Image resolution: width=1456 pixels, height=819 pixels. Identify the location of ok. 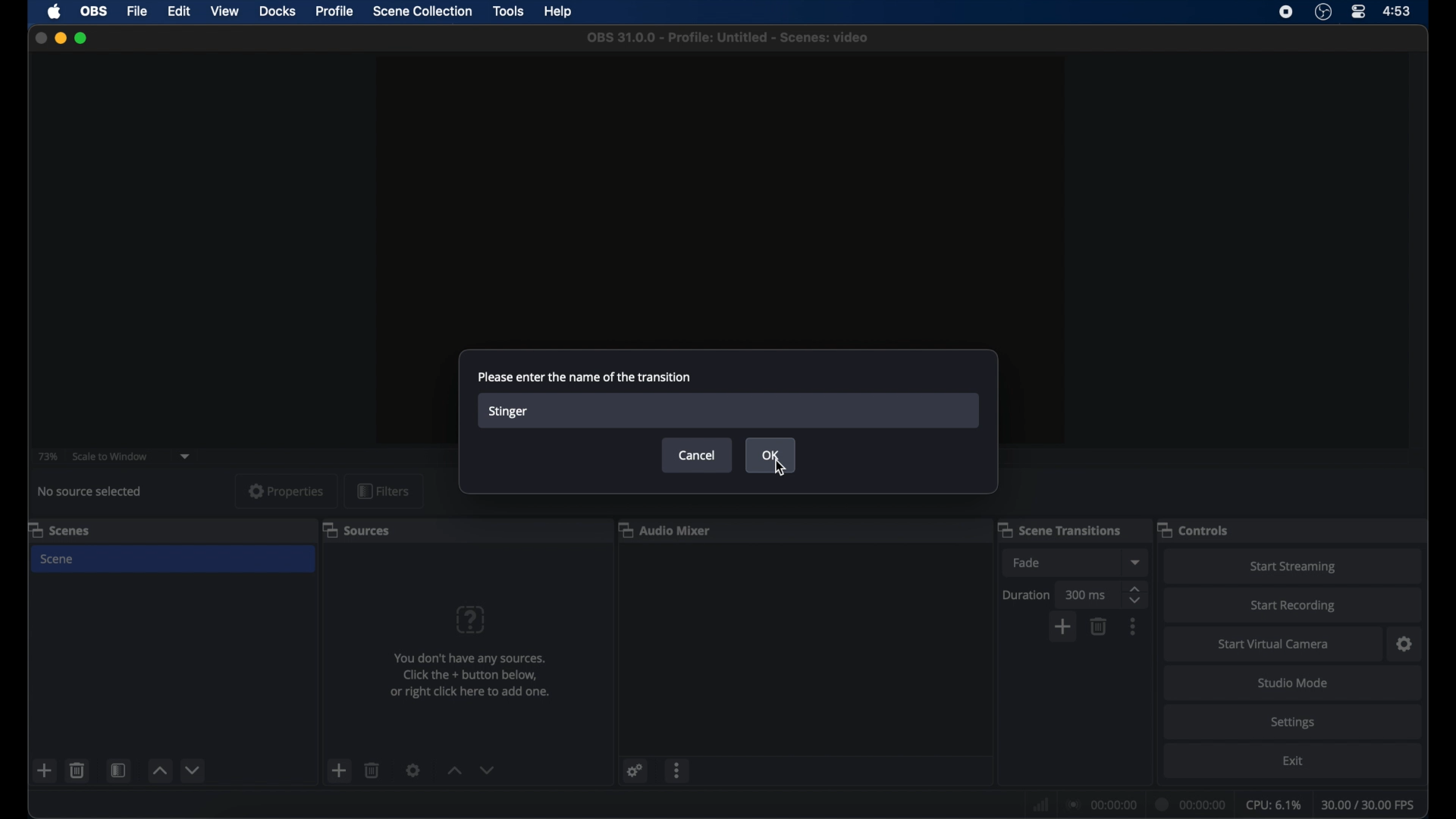
(769, 453).